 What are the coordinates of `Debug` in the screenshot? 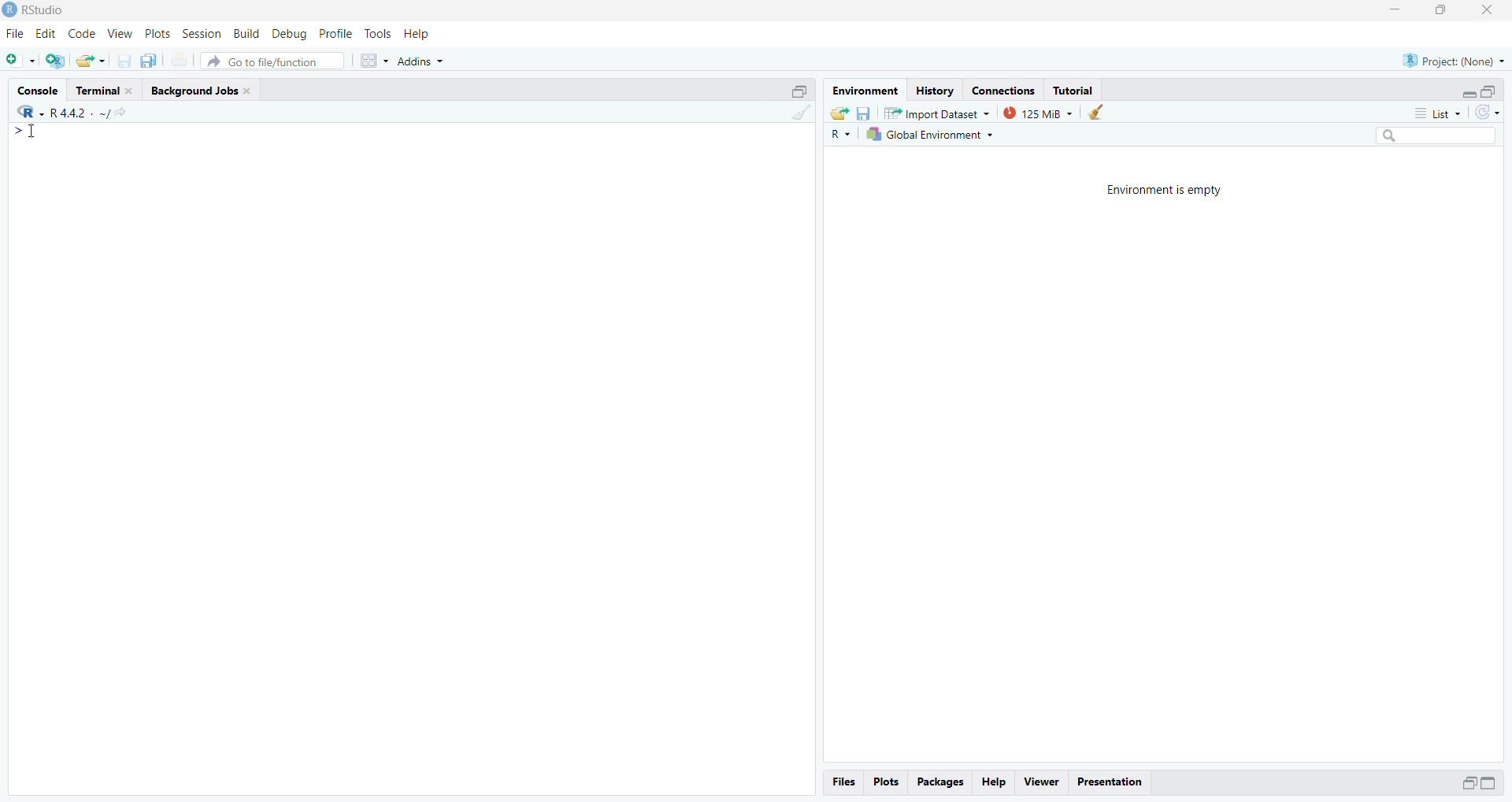 It's located at (291, 34).